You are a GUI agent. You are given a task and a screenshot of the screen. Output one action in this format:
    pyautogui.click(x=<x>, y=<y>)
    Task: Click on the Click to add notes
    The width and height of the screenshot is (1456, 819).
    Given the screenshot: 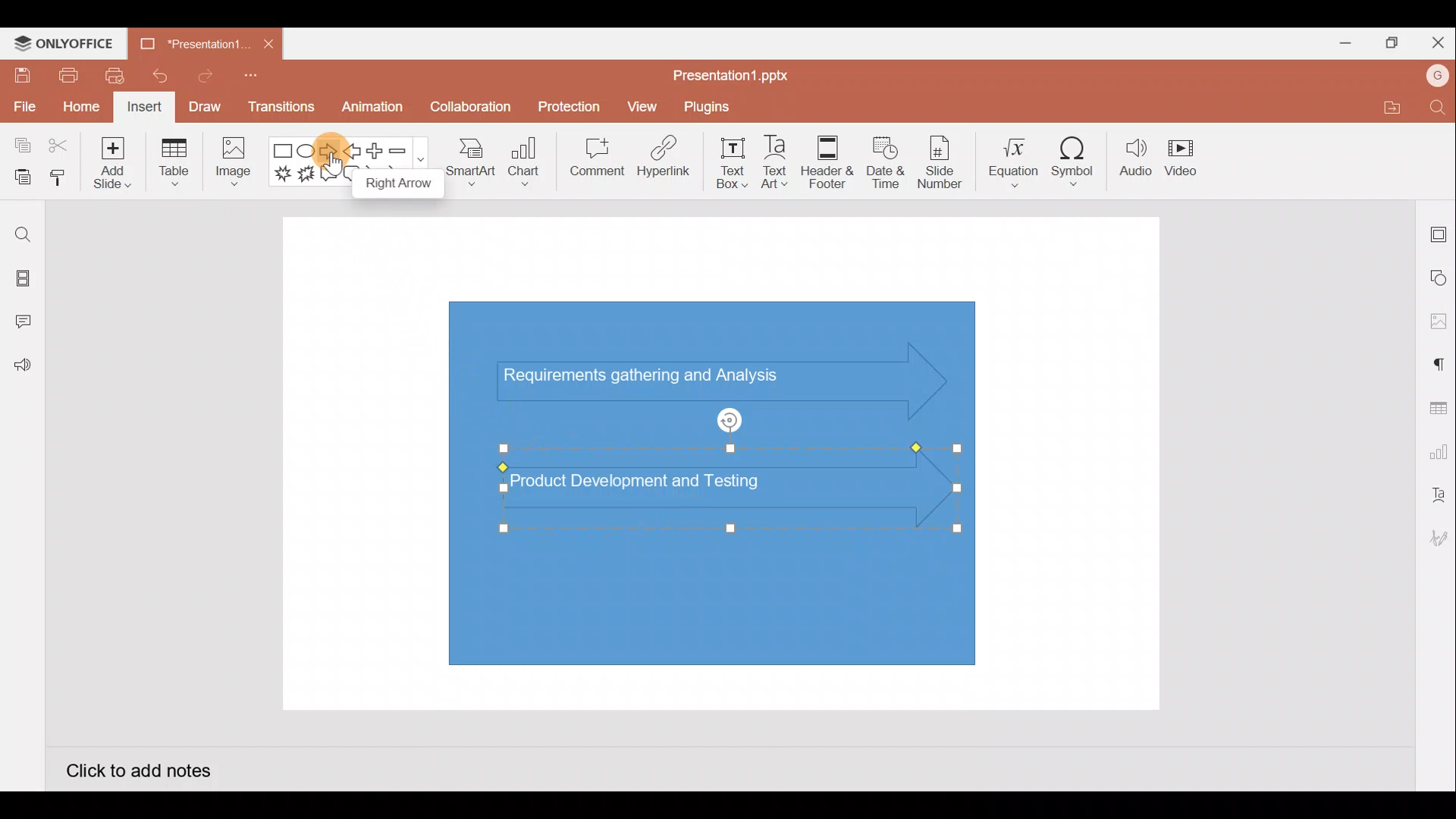 What is the action you would take?
    pyautogui.click(x=138, y=769)
    